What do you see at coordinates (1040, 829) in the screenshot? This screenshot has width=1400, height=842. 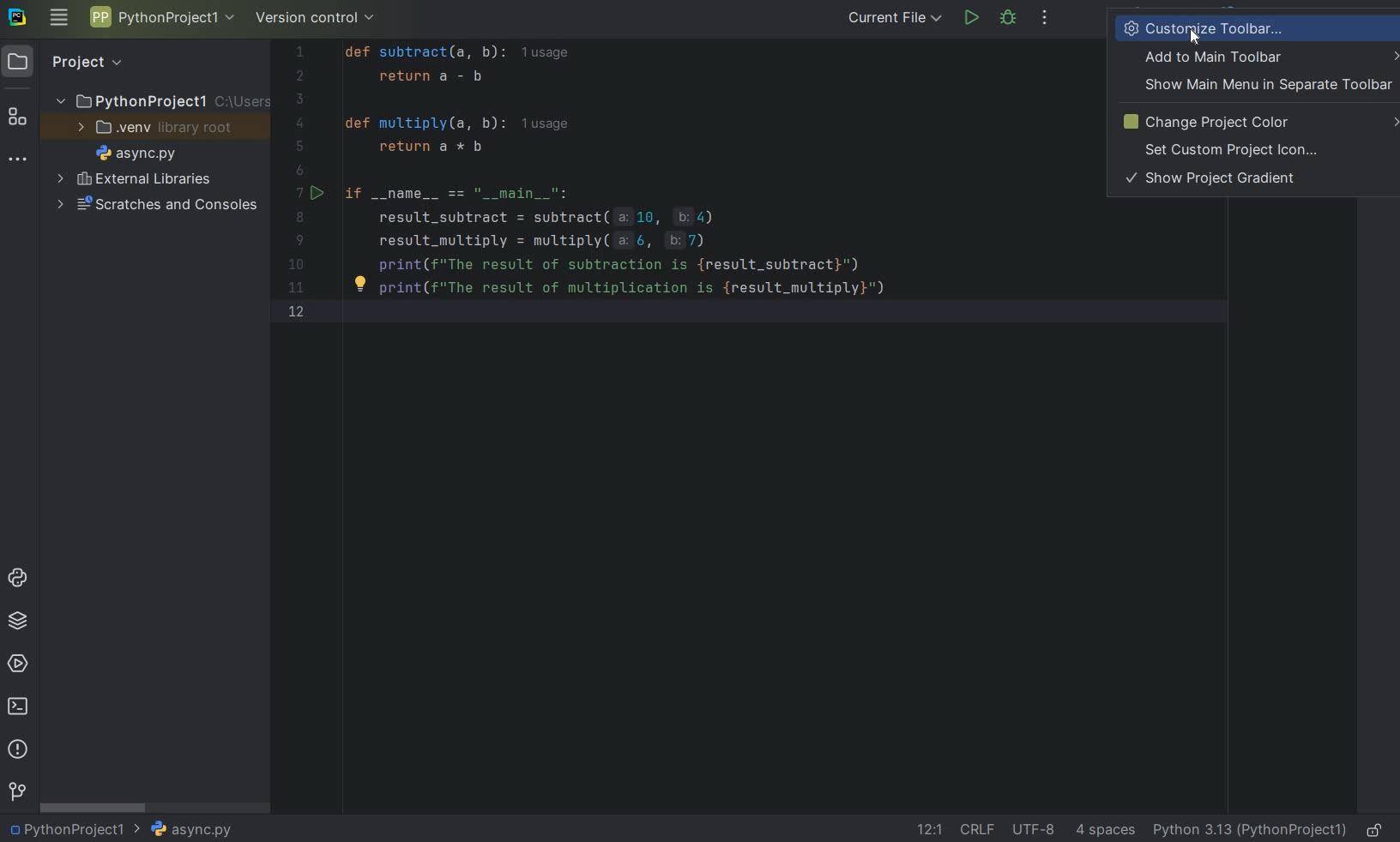 I see `FILE ENCODING` at bounding box center [1040, 829].